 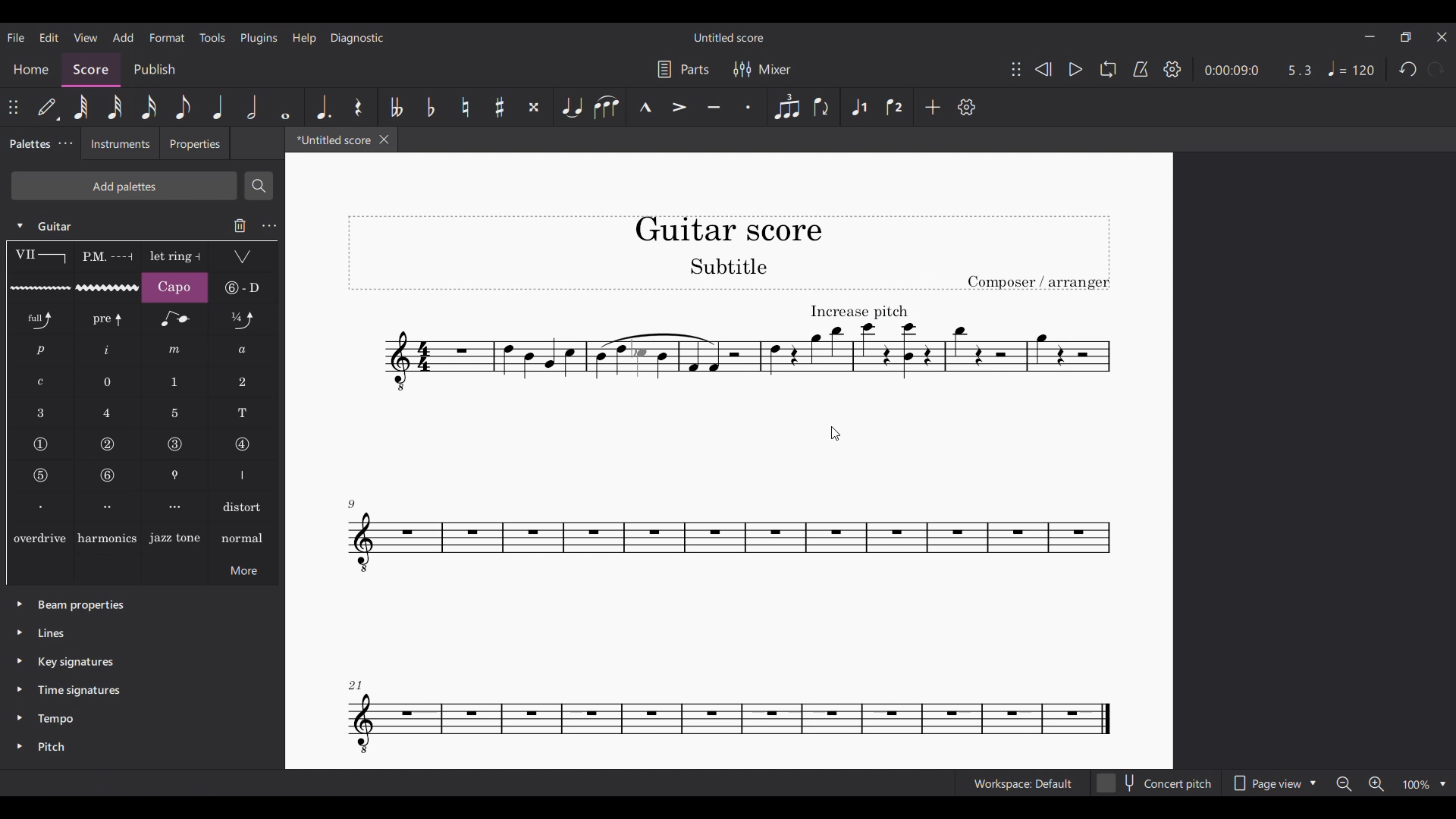 I want to click on Pre-bend, so click(x=108, y=319).